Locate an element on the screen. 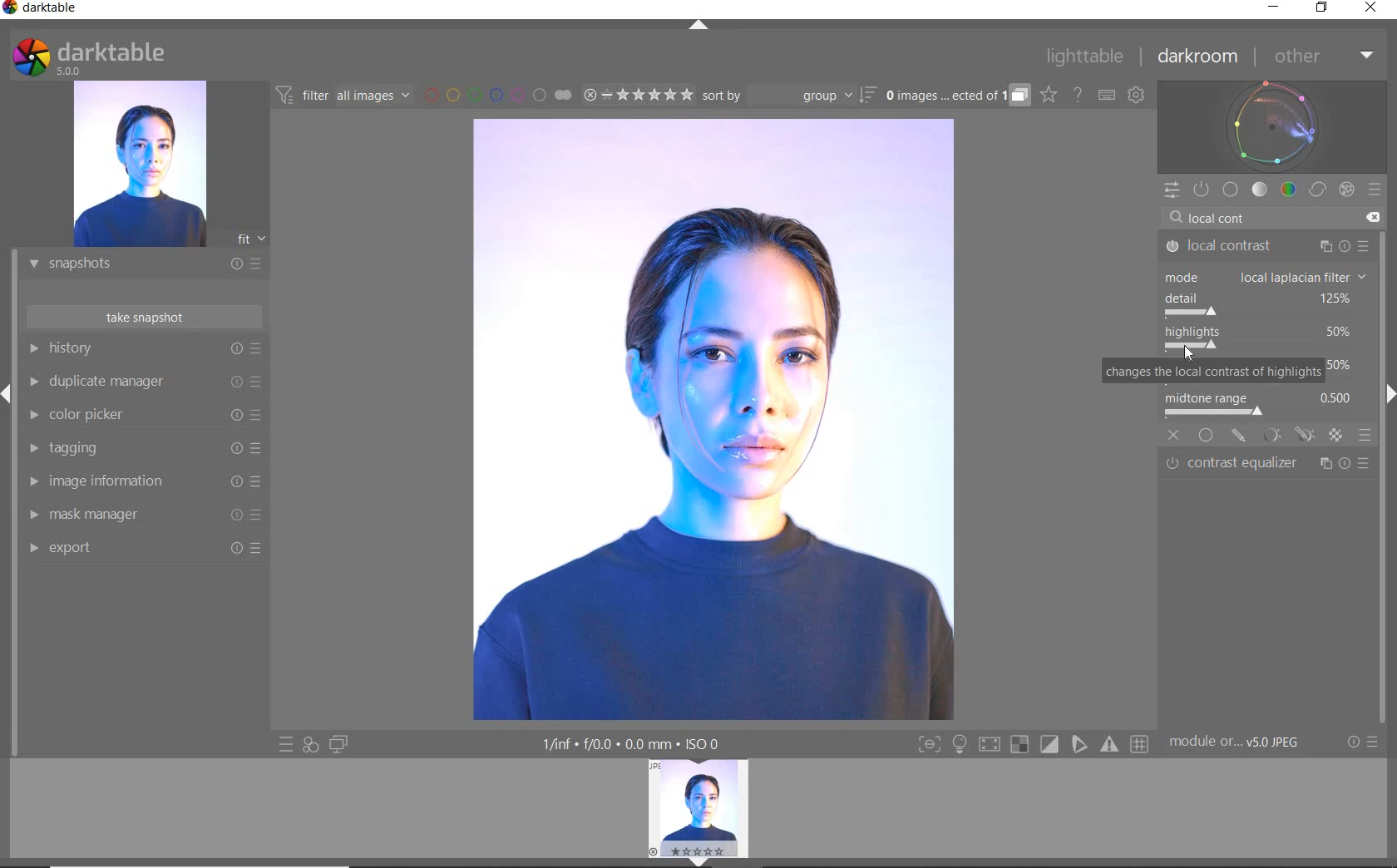 The height and width of the screenshot is (868, 1397). COLOR is located at coordinates (1289, 189).